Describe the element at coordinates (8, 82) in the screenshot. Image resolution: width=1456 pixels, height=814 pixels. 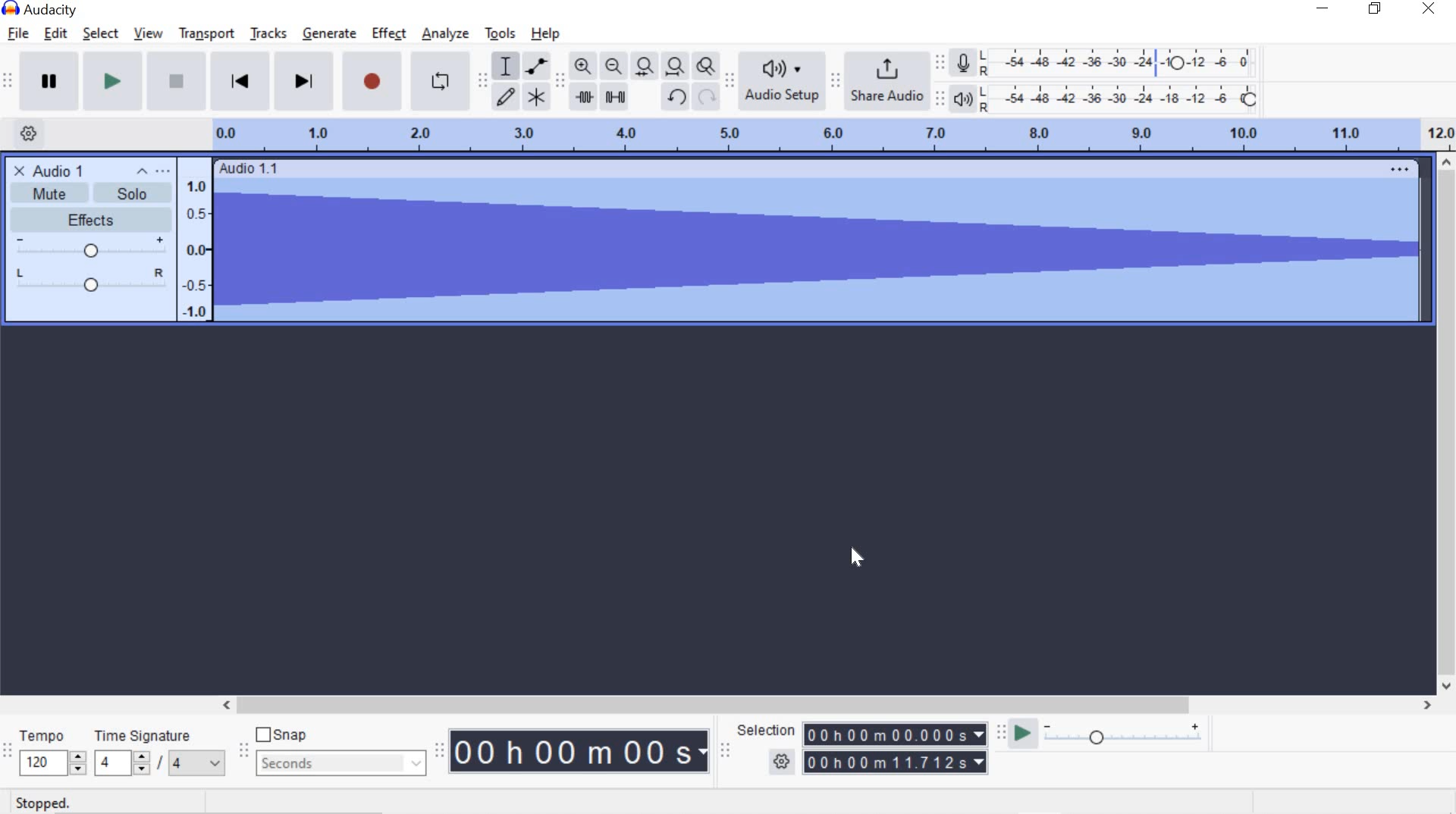
I see `Transport toolbar` at that location.